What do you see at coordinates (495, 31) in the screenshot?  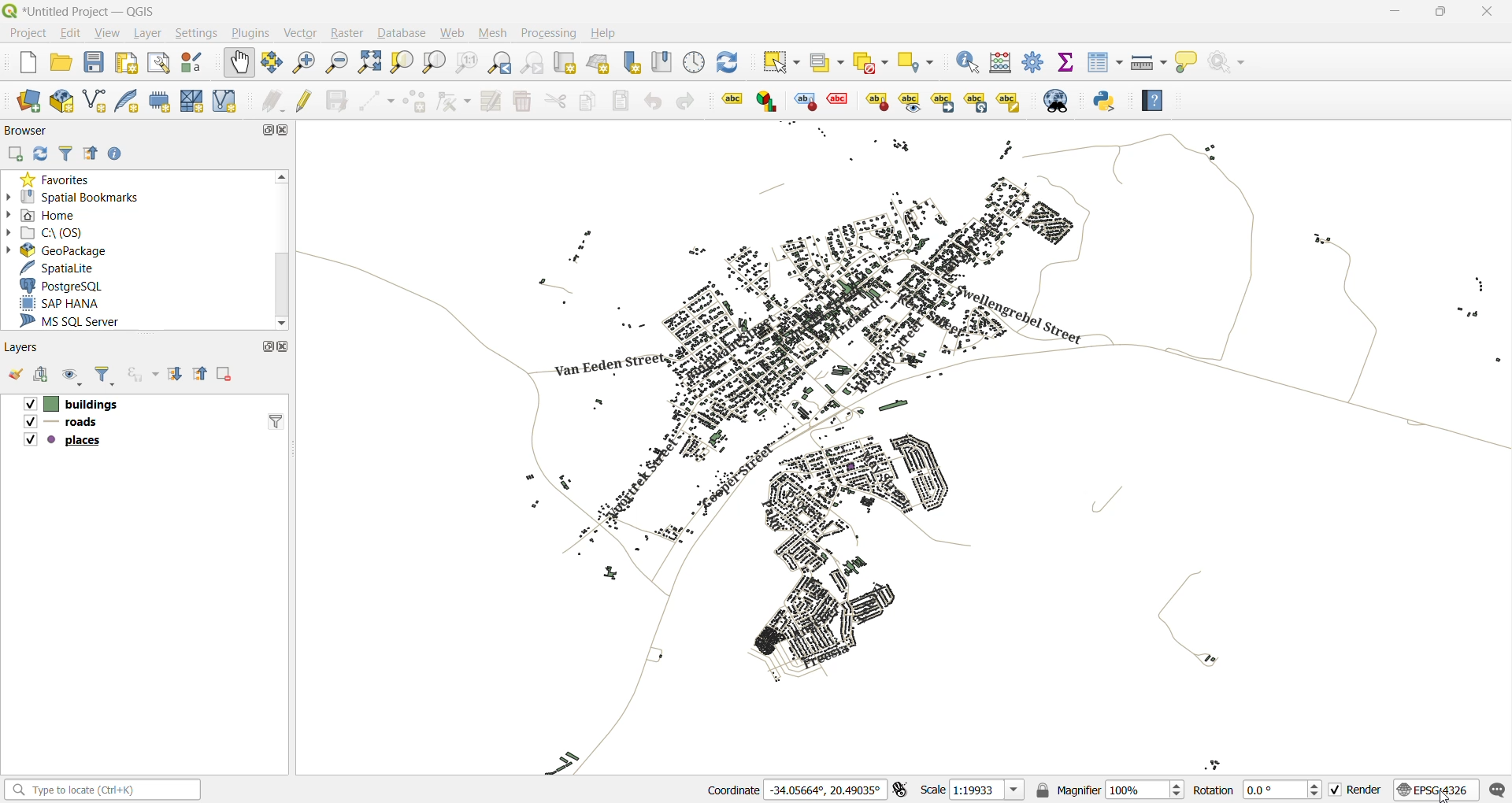 I see `mesh` at bounding box center [495, 31].